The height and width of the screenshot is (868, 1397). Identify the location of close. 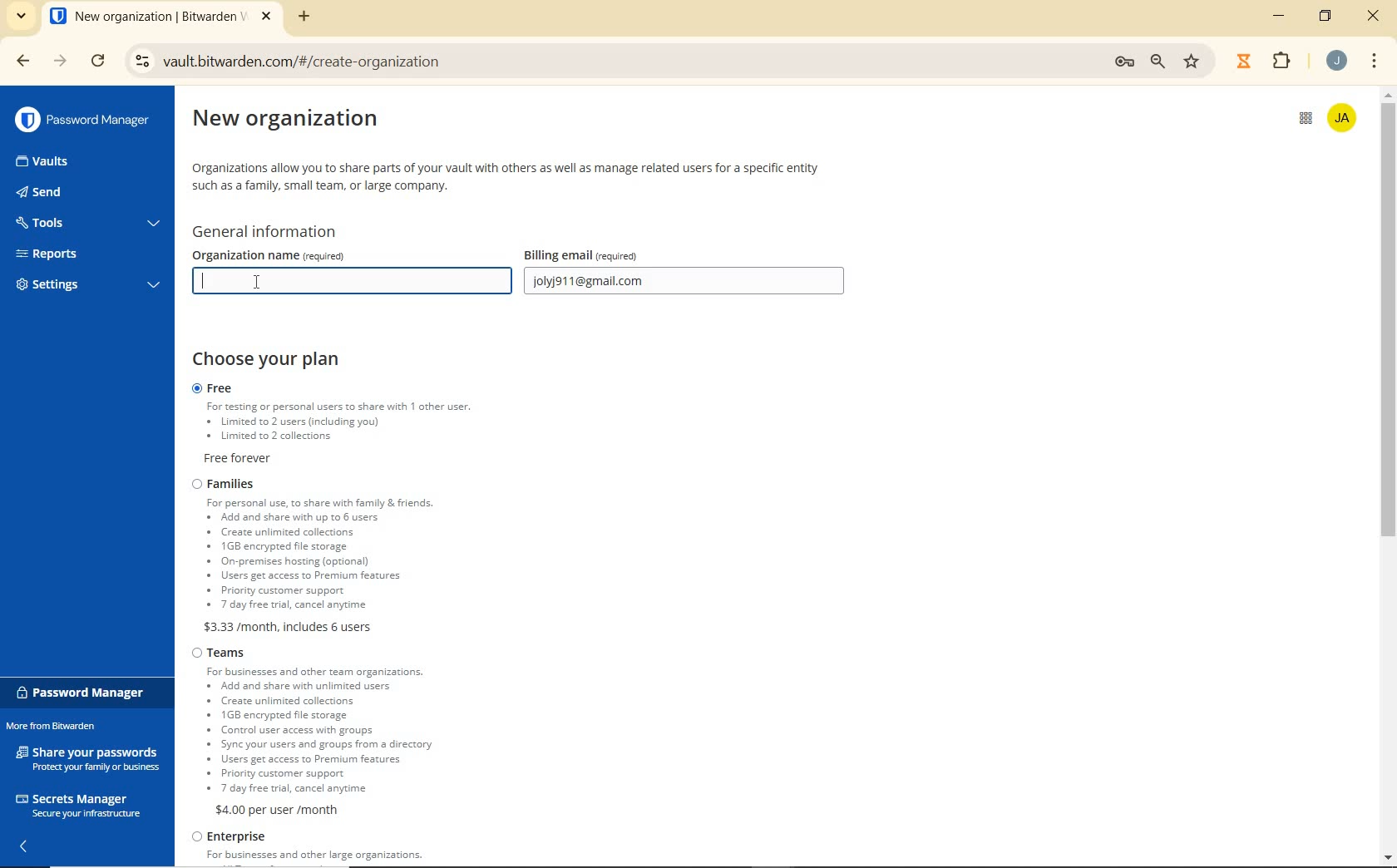
(1374, 17).